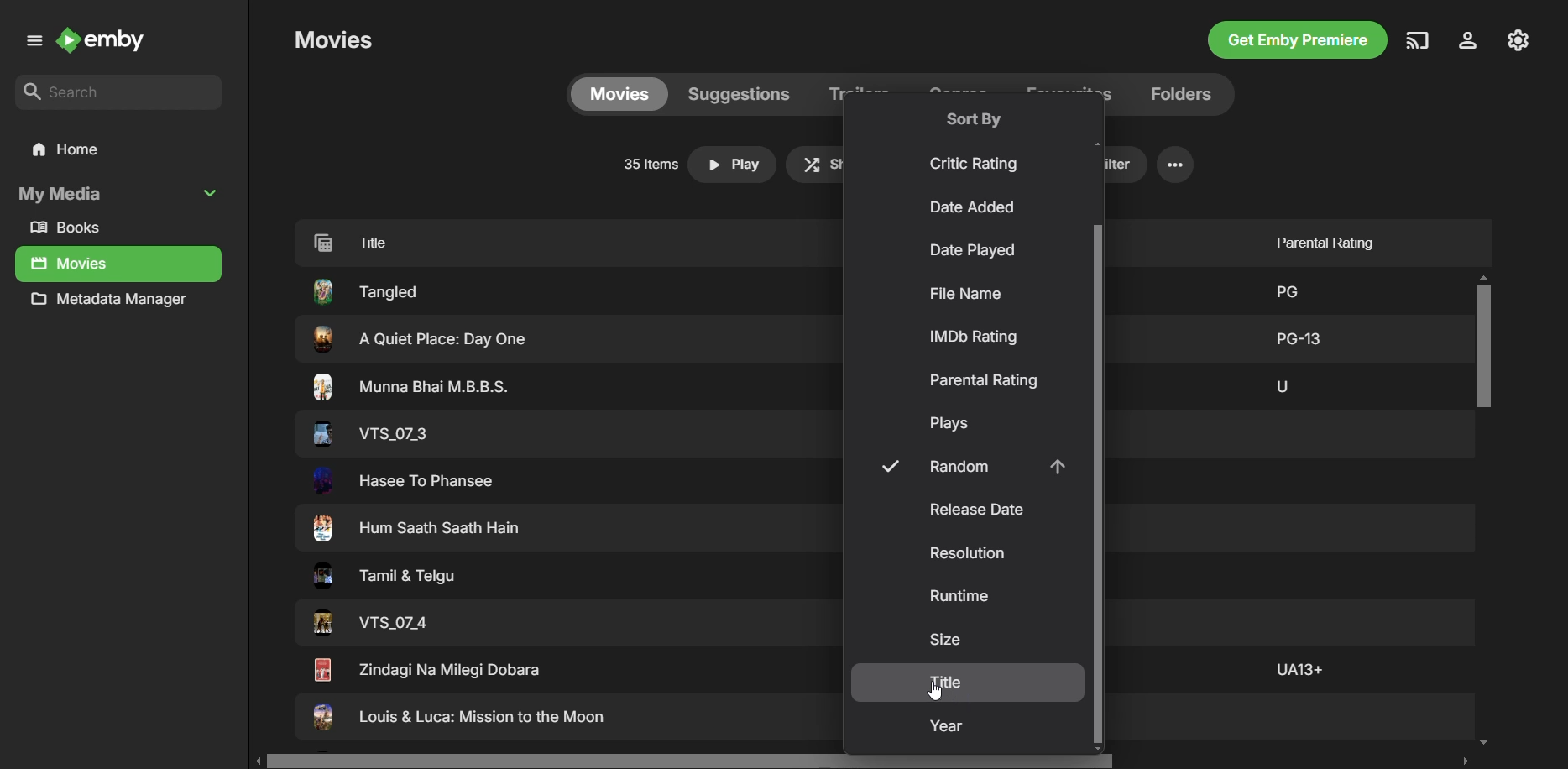 The image size is (1568, 769). Describe the element at coordinates (945, 640) in the screenshot. I see `Size` at that location.